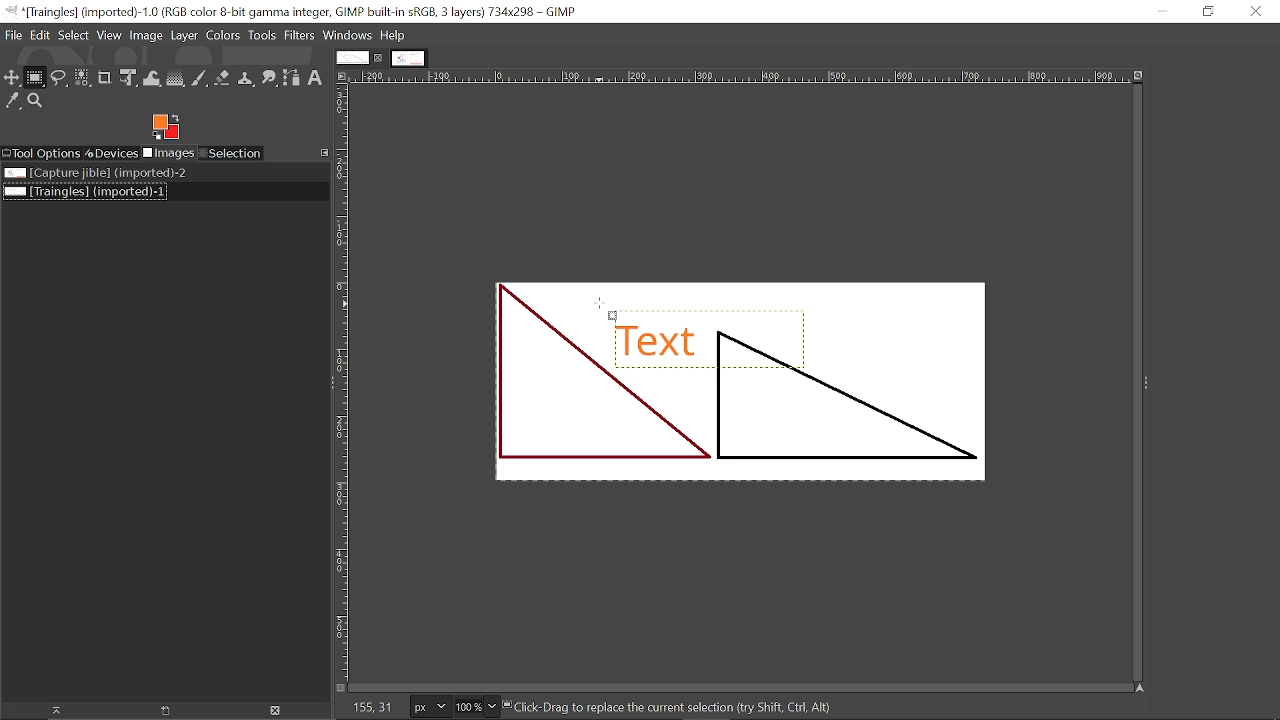 This screenshot has width=1280, height=720. What do you see at coordinates (60, 77) in the screenshot?
I see `Free select` at bounding box center [60, 77].